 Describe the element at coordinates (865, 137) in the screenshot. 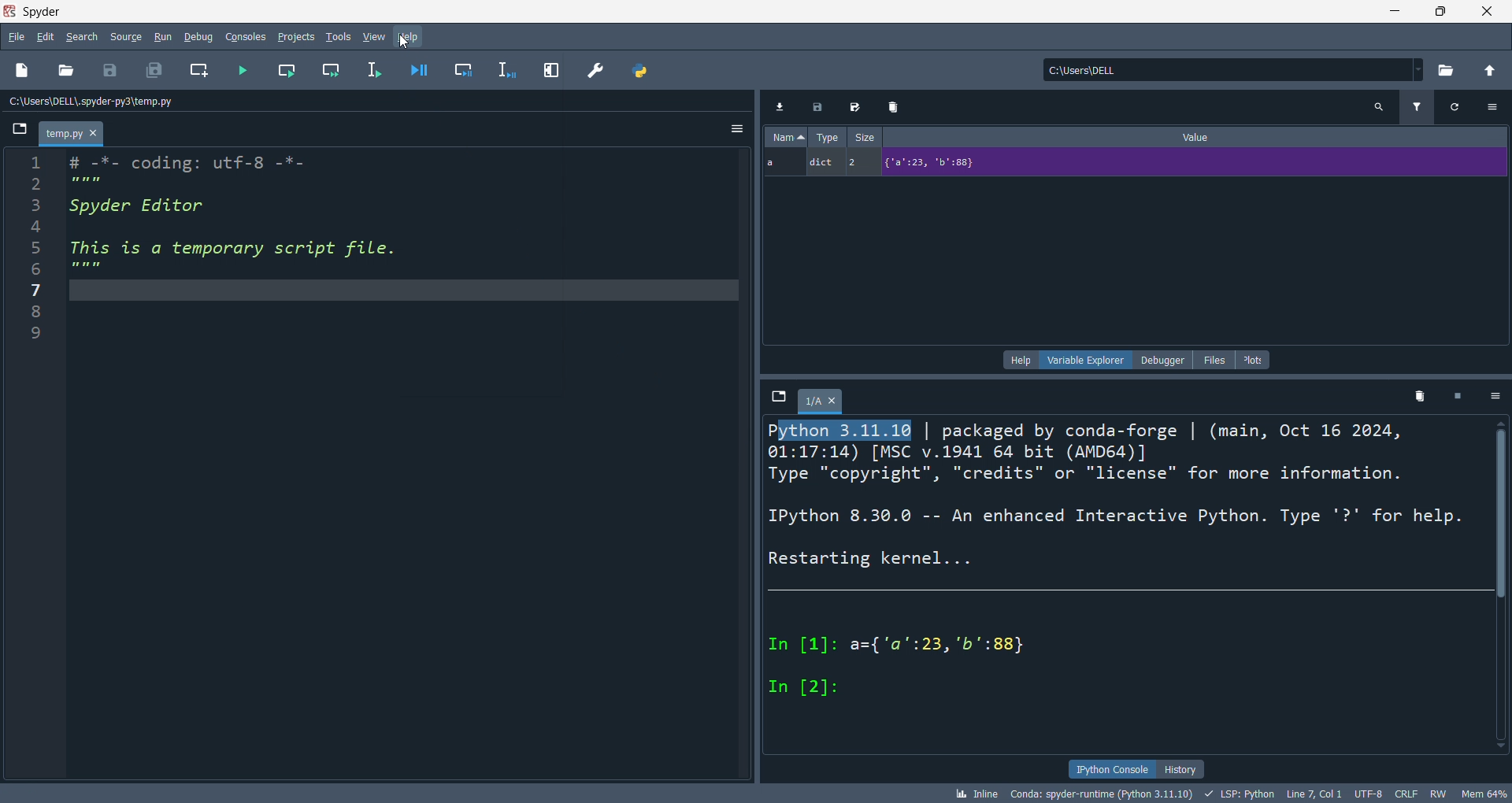

I see `Size` at that location.